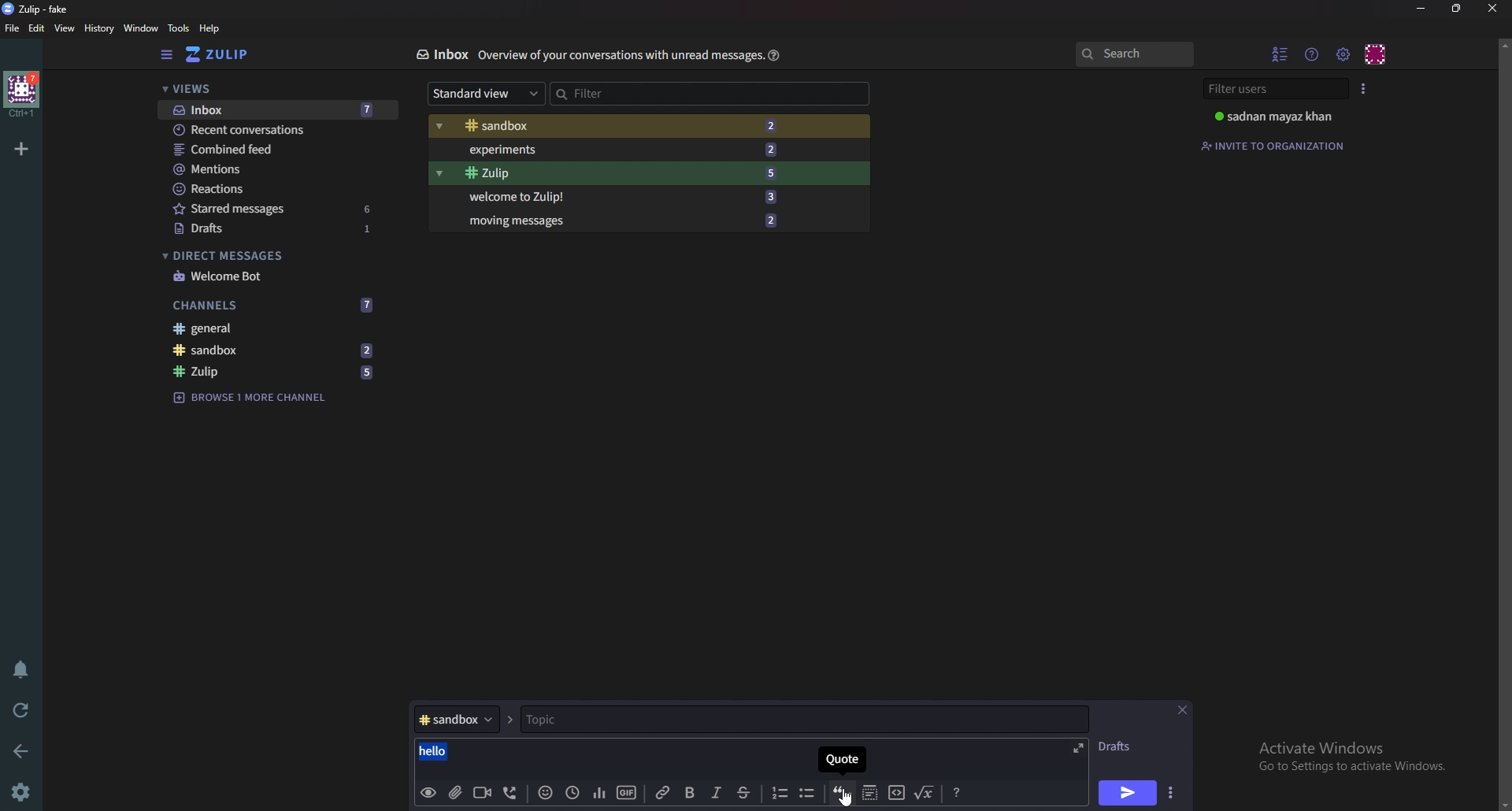 The image size is (1512, 811). Describe the element at coordinates (243, 209) in the screenshot. I see `starred messages` at that location.